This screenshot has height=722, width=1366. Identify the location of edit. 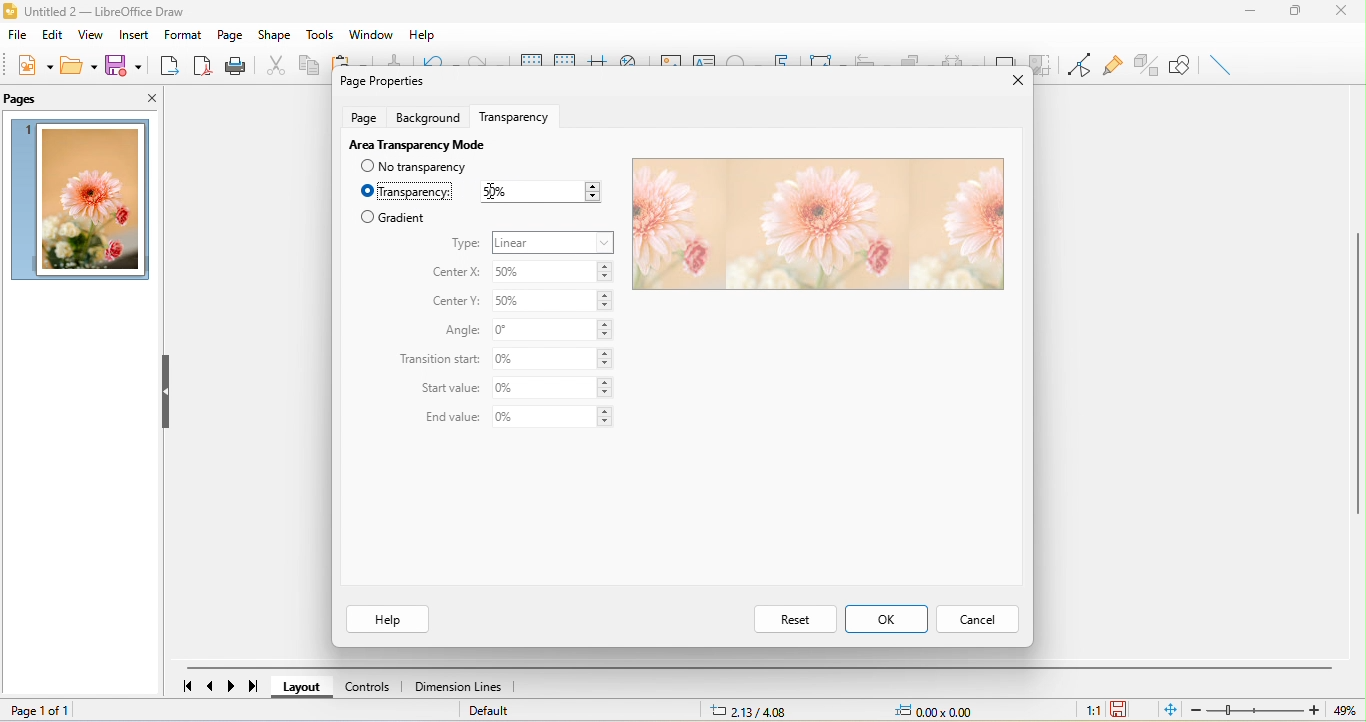
(54, 34).